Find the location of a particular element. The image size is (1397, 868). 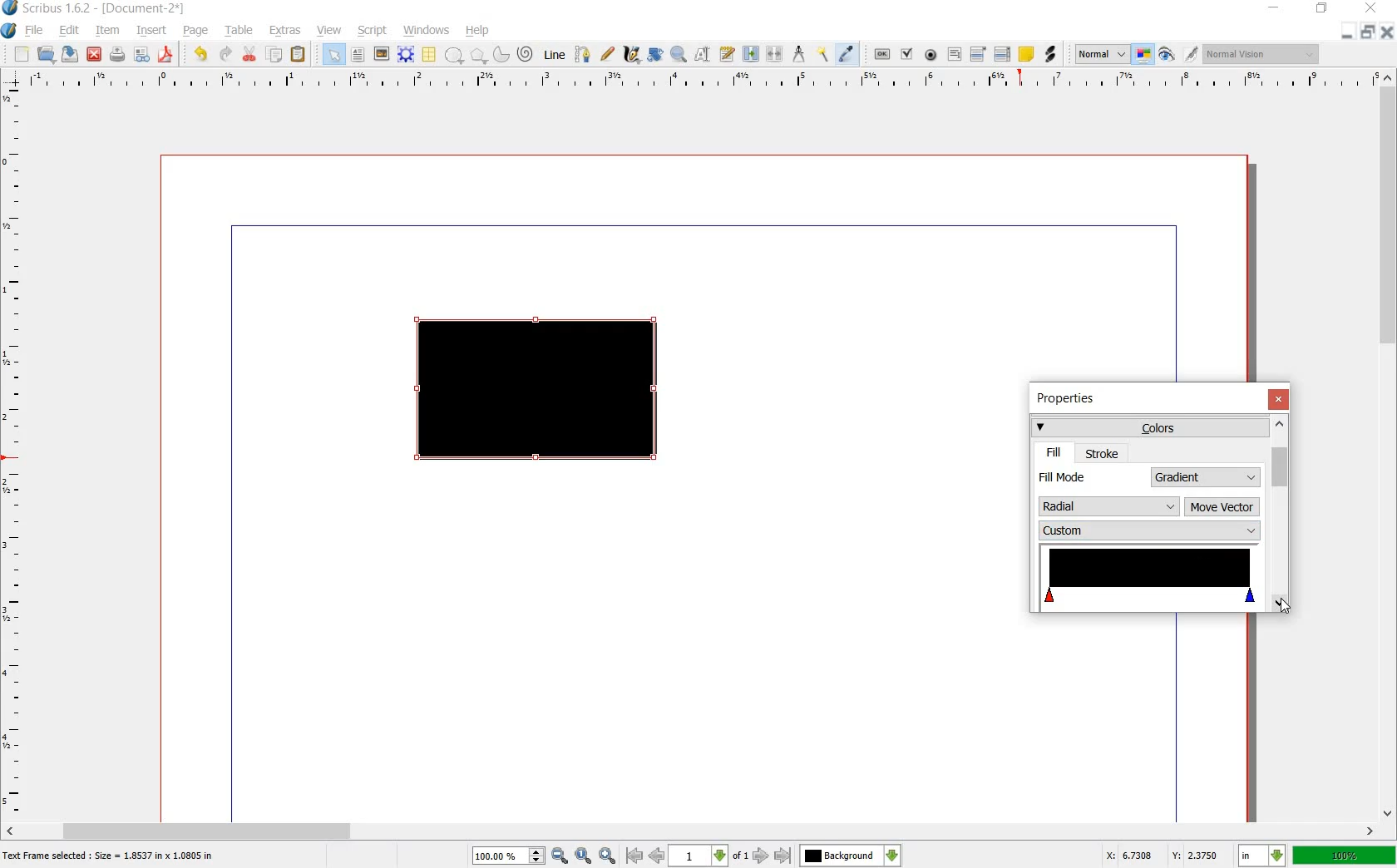

insert is located at coordinates (152, 32).